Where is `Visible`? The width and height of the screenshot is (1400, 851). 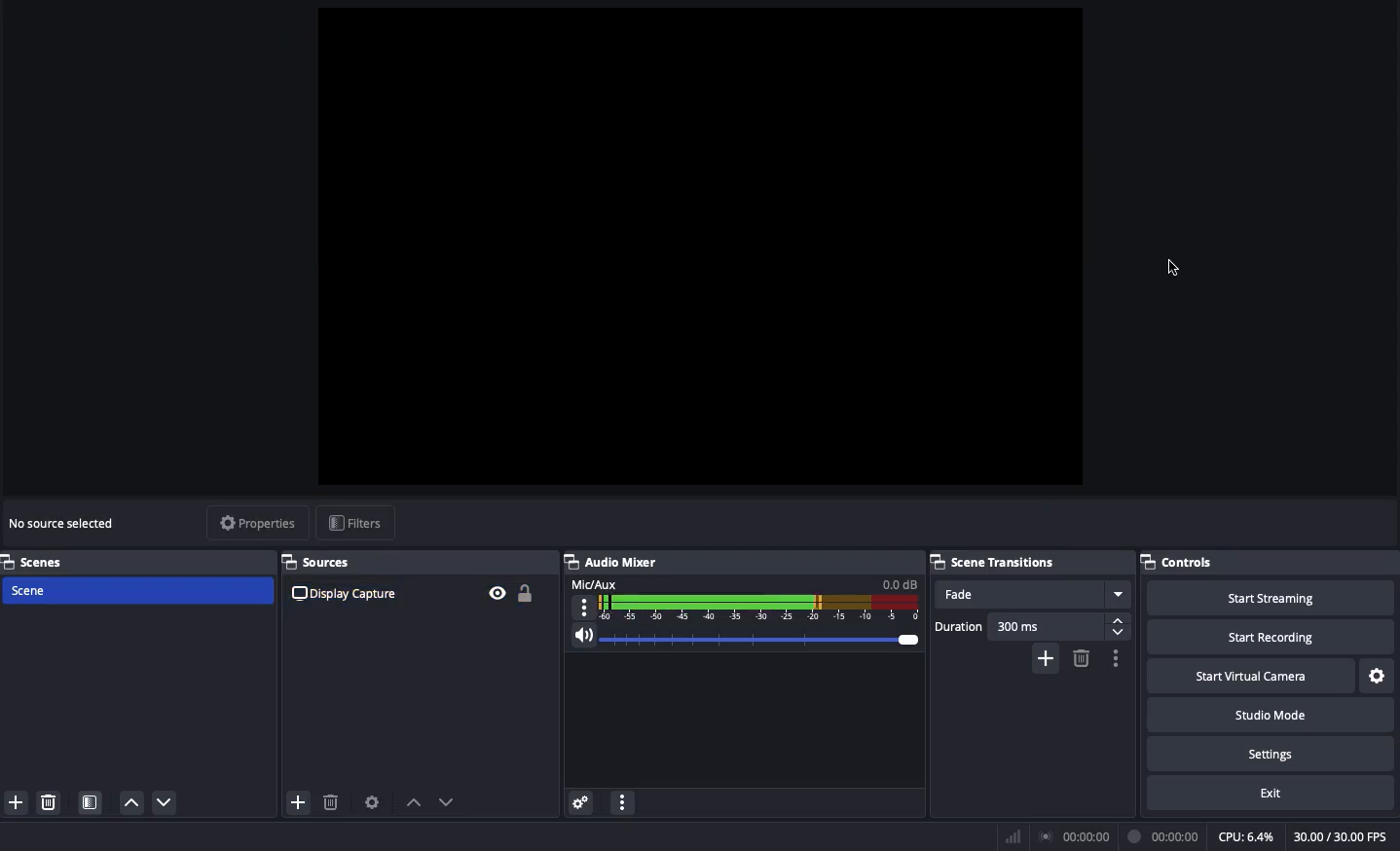 Visible is located at coordinates (497, 592).